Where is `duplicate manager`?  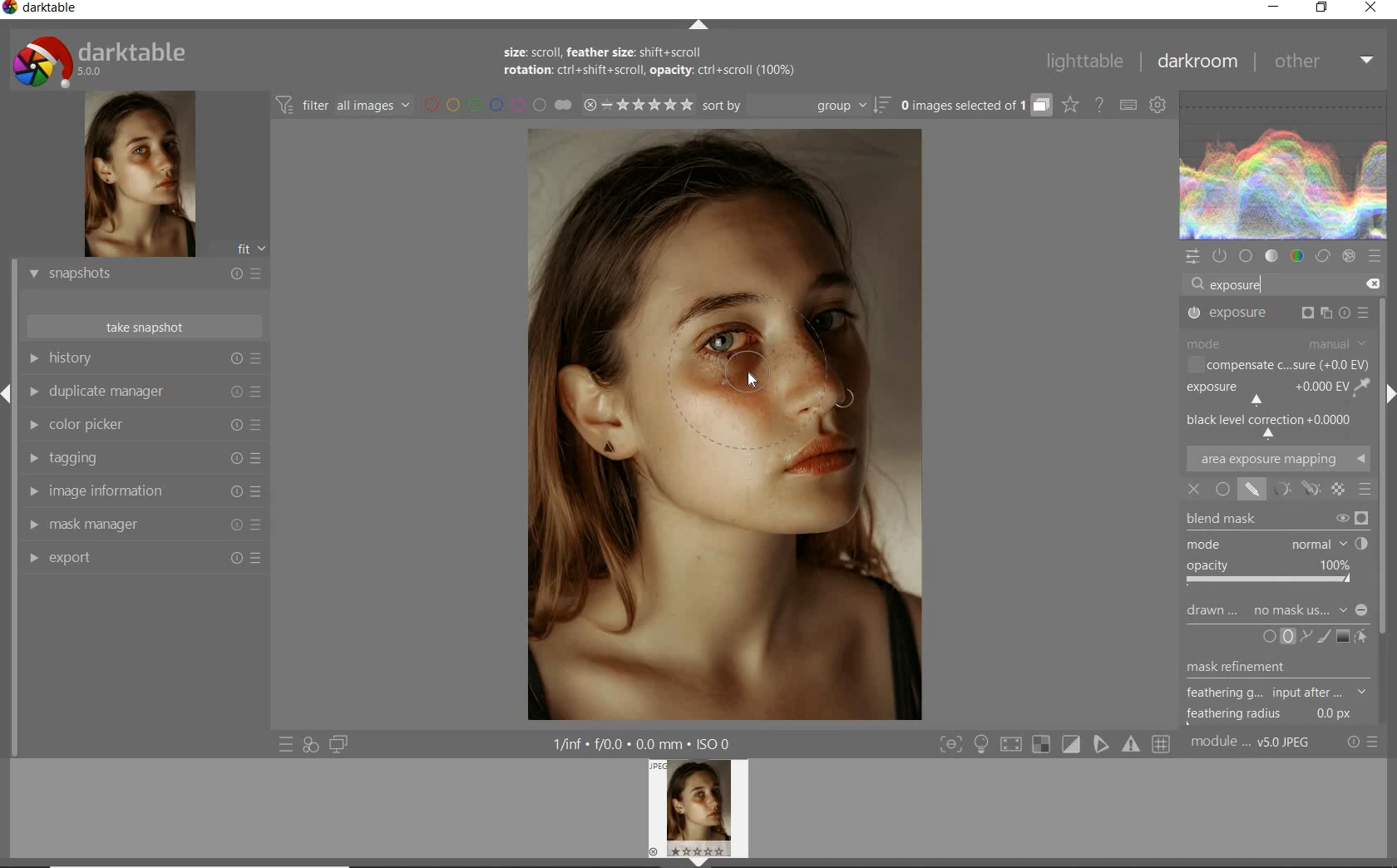
duplicate manager is located at coordinates (143, 392).